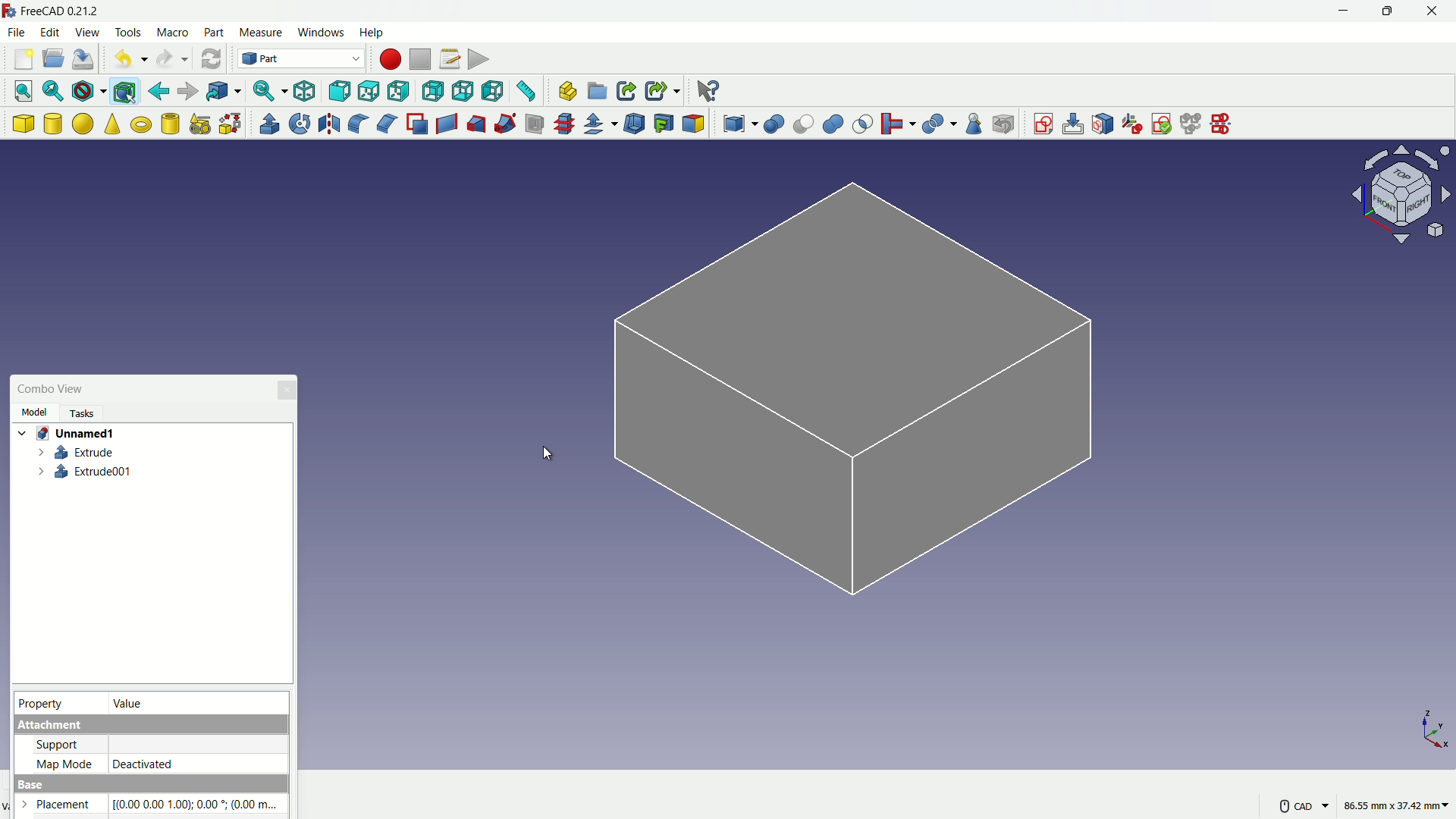 The height and width of the screenshot is (819, 1456). I want to click on help, so click(373, 32).